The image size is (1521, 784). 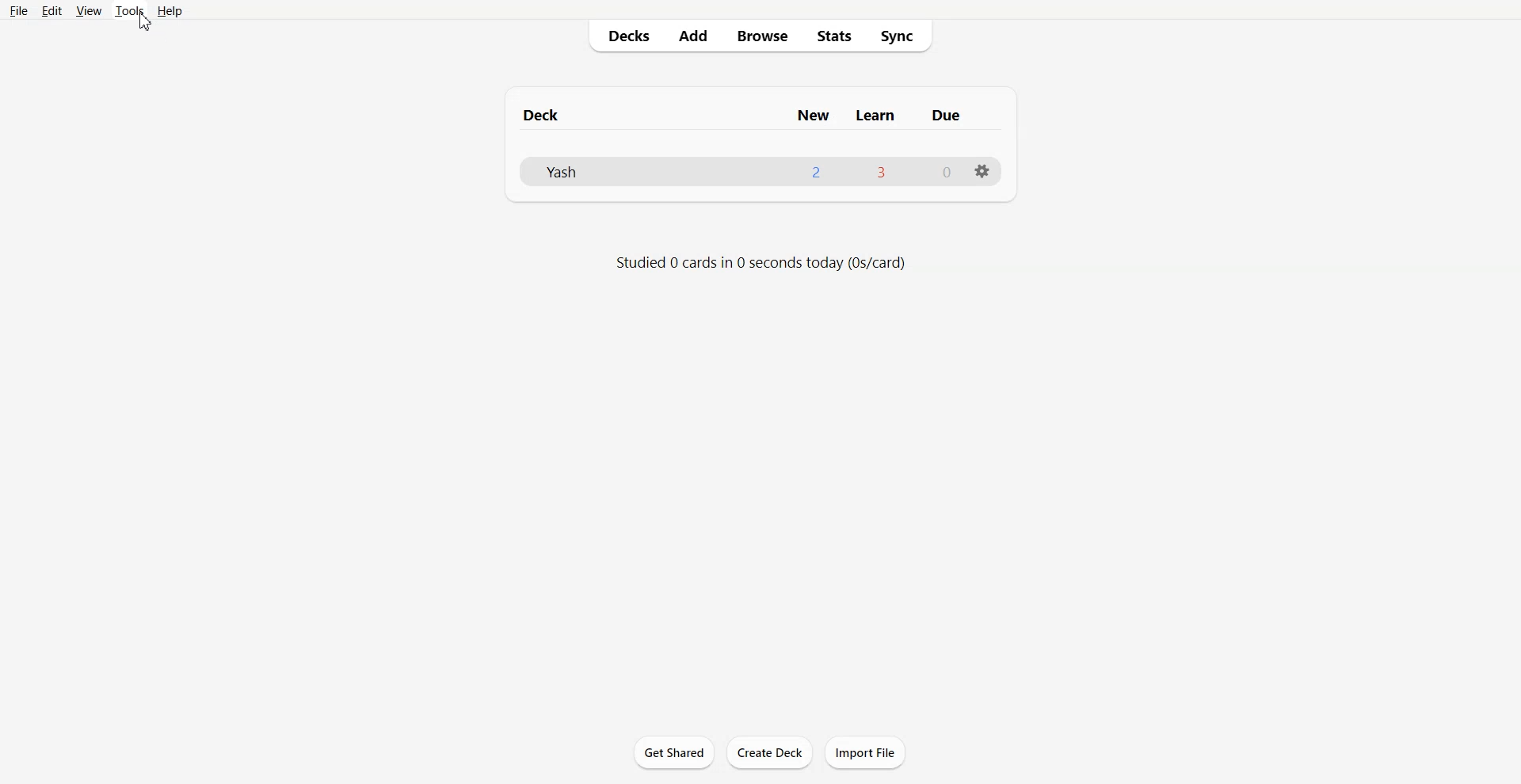 What do you see at coordinates (833, 36) in the screenshot?
I see `Stats` at bounding box center [833, 36].